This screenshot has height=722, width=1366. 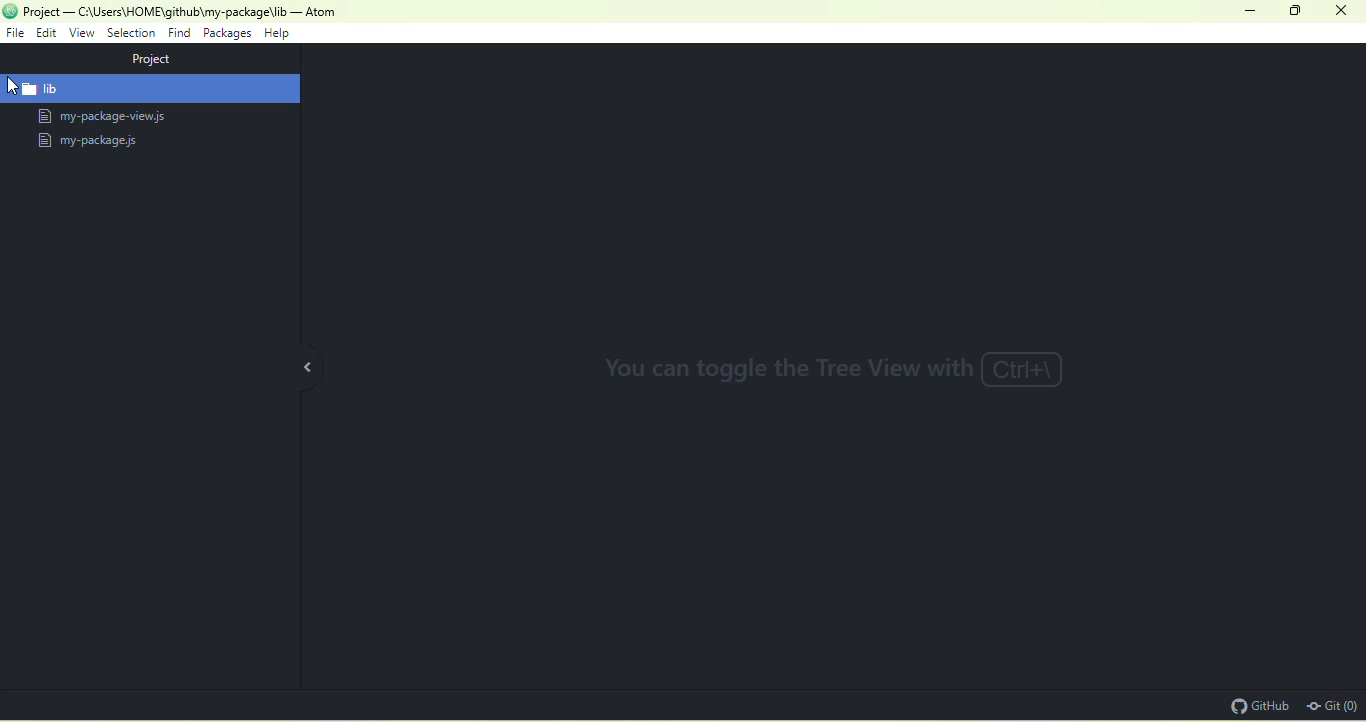 What do you see at coordinates (133, 36) in the screenshot?
I see `selection` at bounding box center [133, 36].